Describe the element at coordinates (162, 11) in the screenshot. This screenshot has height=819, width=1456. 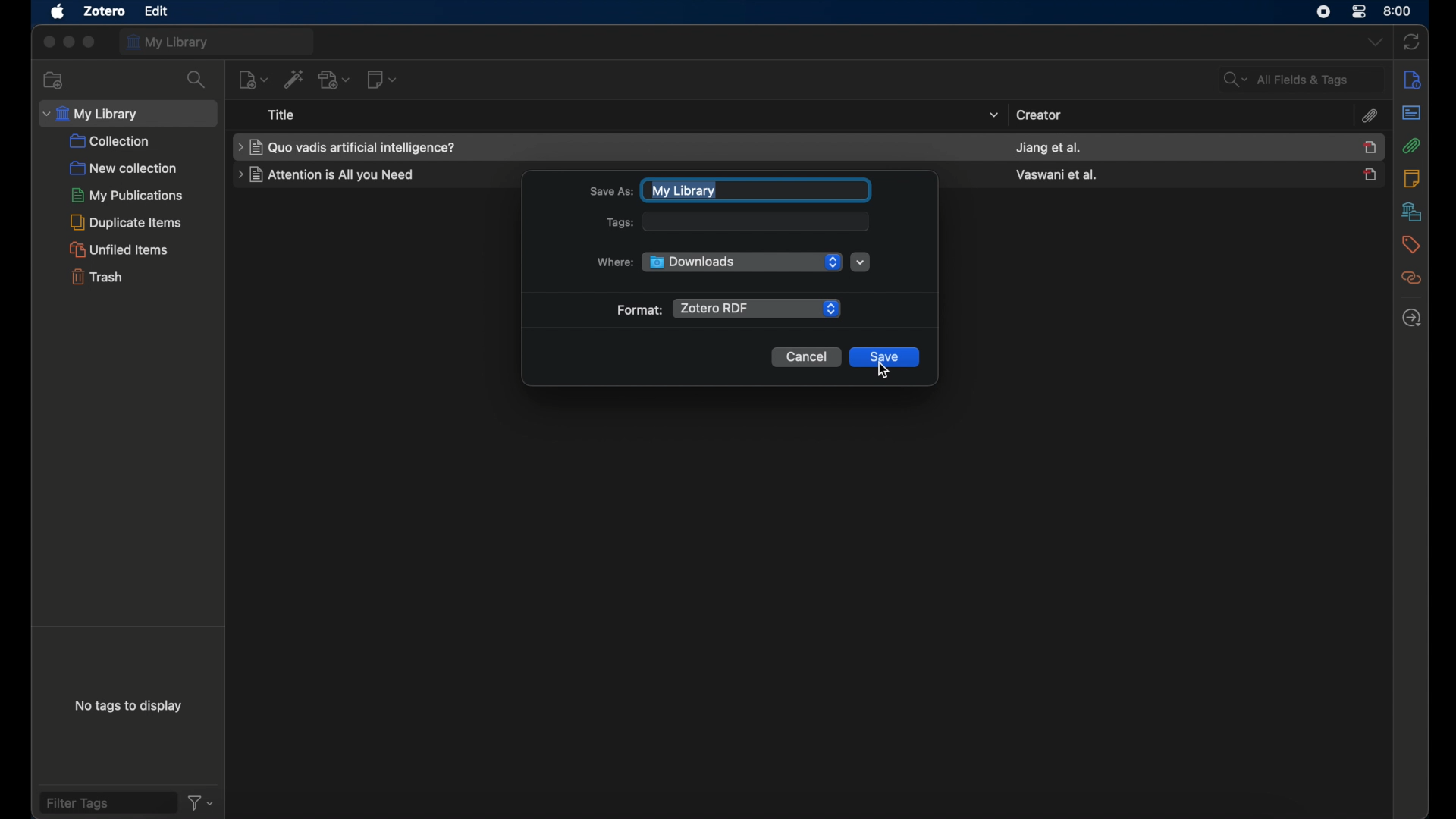
I see `edit` at that location.